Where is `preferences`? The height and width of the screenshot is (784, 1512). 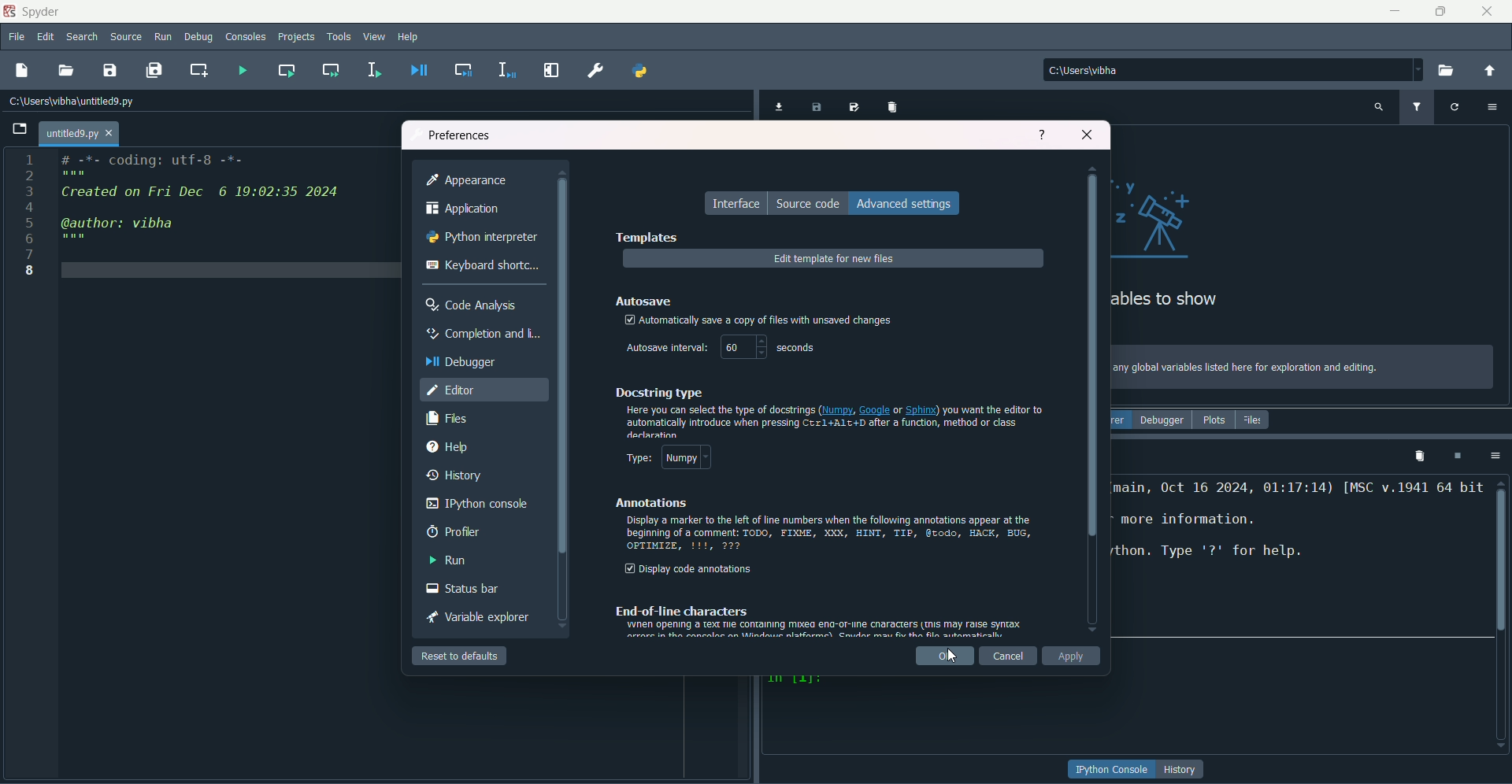 preferences is located at coordinates (460, 133).